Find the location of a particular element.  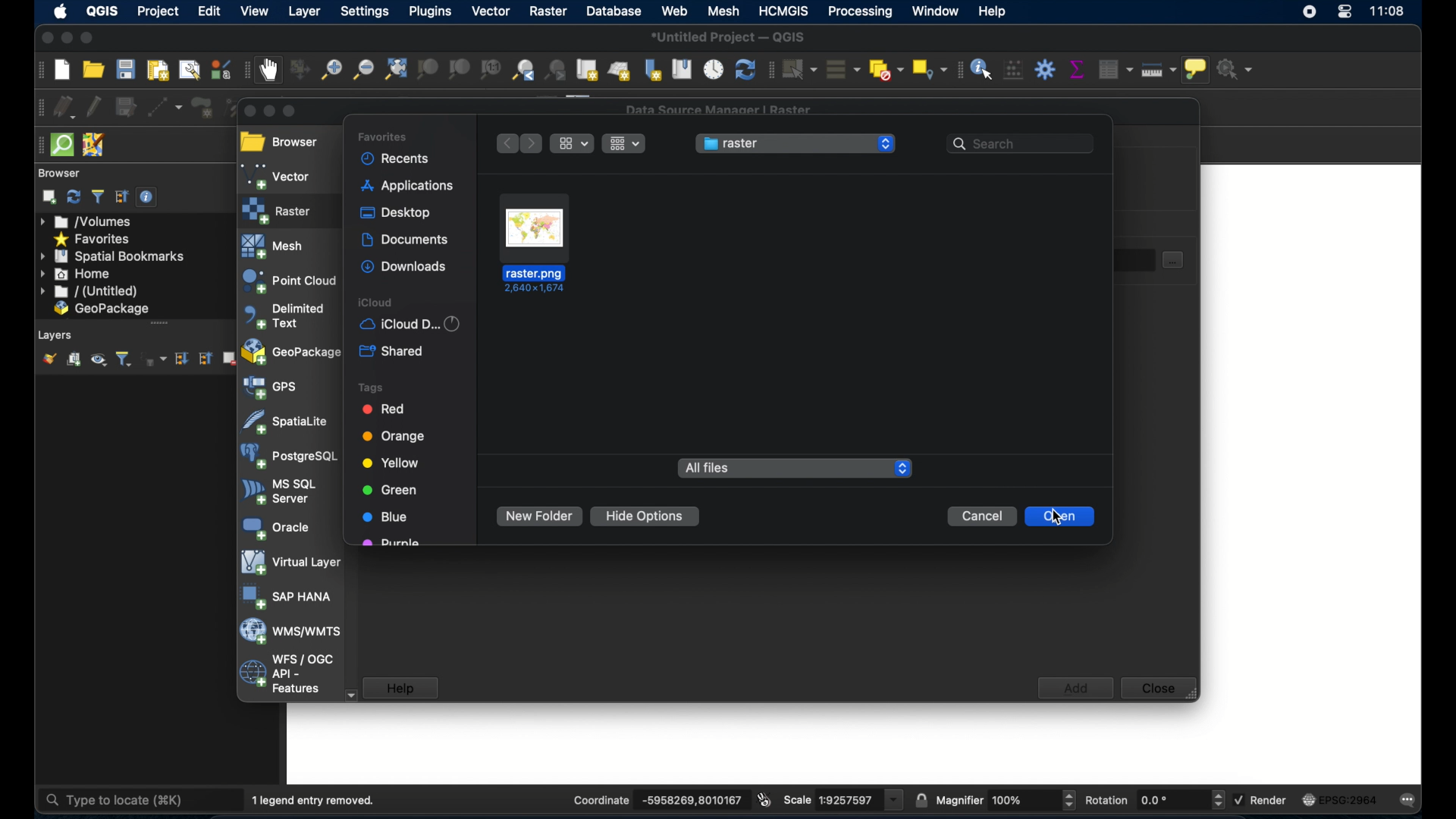

Dimensions  is located at coordinates (535, 288).